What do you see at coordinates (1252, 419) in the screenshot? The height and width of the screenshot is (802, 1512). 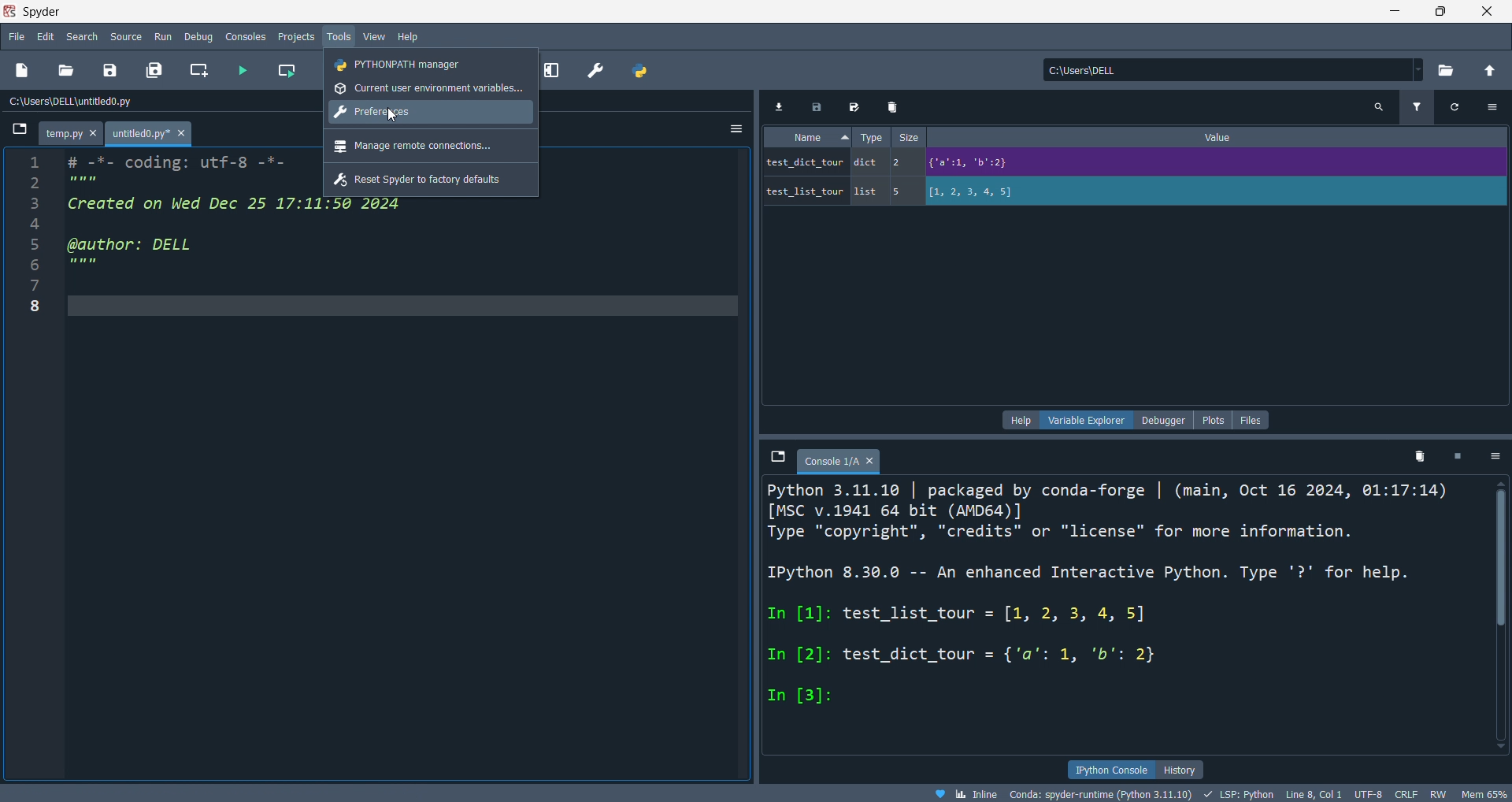 I see `files` at bounding box center [1252, 419].